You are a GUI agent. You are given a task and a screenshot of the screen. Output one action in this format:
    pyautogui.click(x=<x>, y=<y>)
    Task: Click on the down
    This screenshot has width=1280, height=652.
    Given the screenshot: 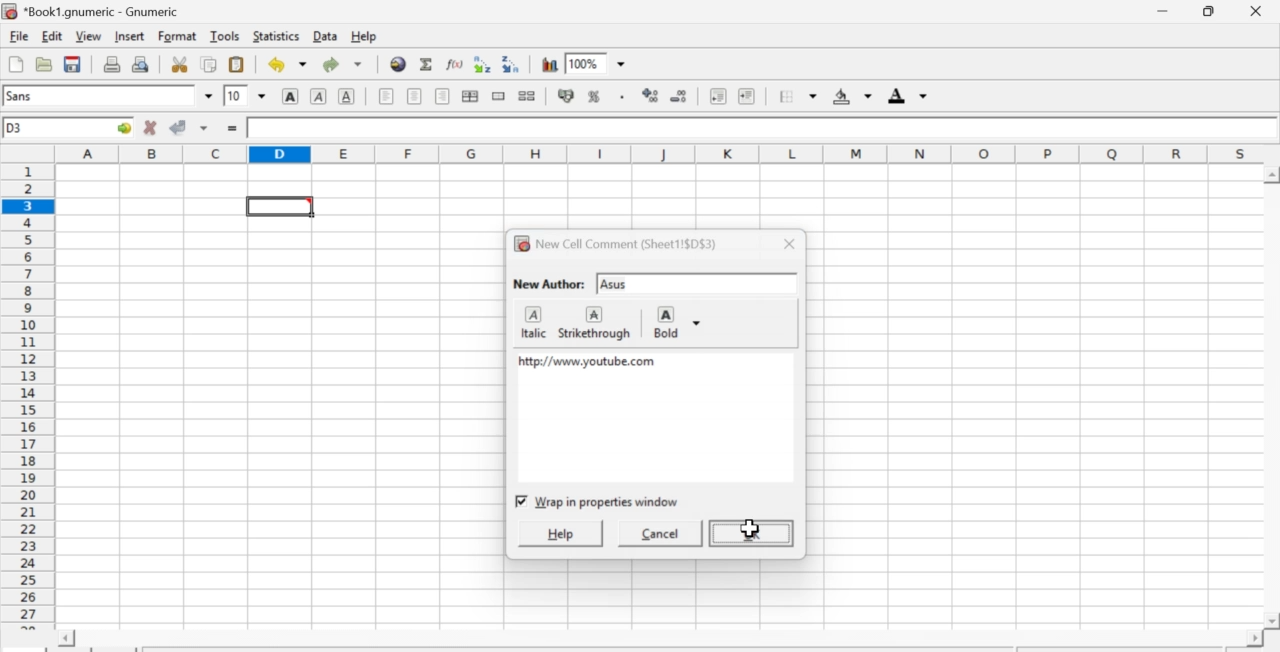 What is the action you would take?
    pyautogui.click(x=623, y=64)
    